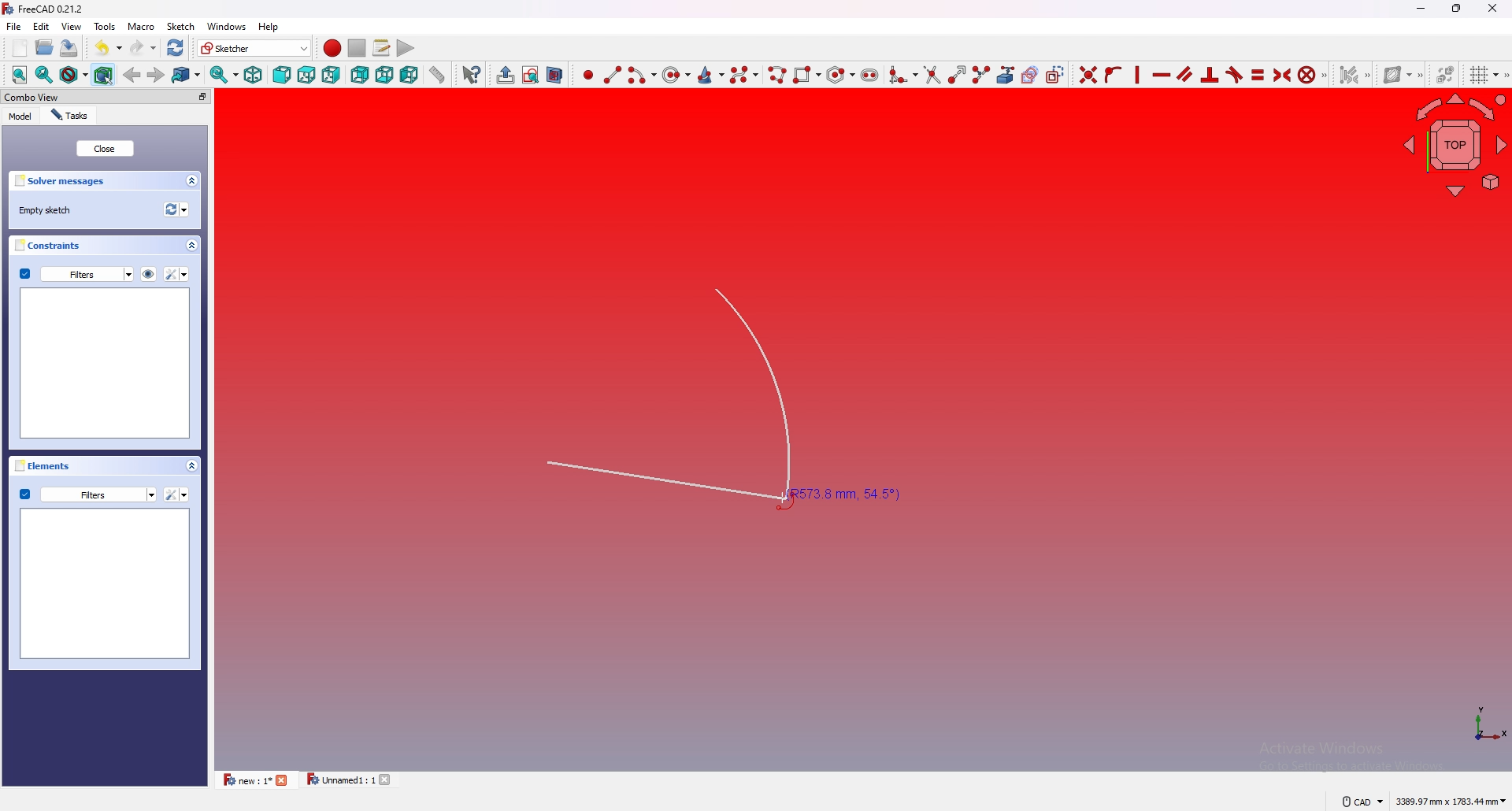 This screenshot has height=811, width=1512. Describe the element at coordinates (108, 48) in the screenshot. I see `undo` at that location.